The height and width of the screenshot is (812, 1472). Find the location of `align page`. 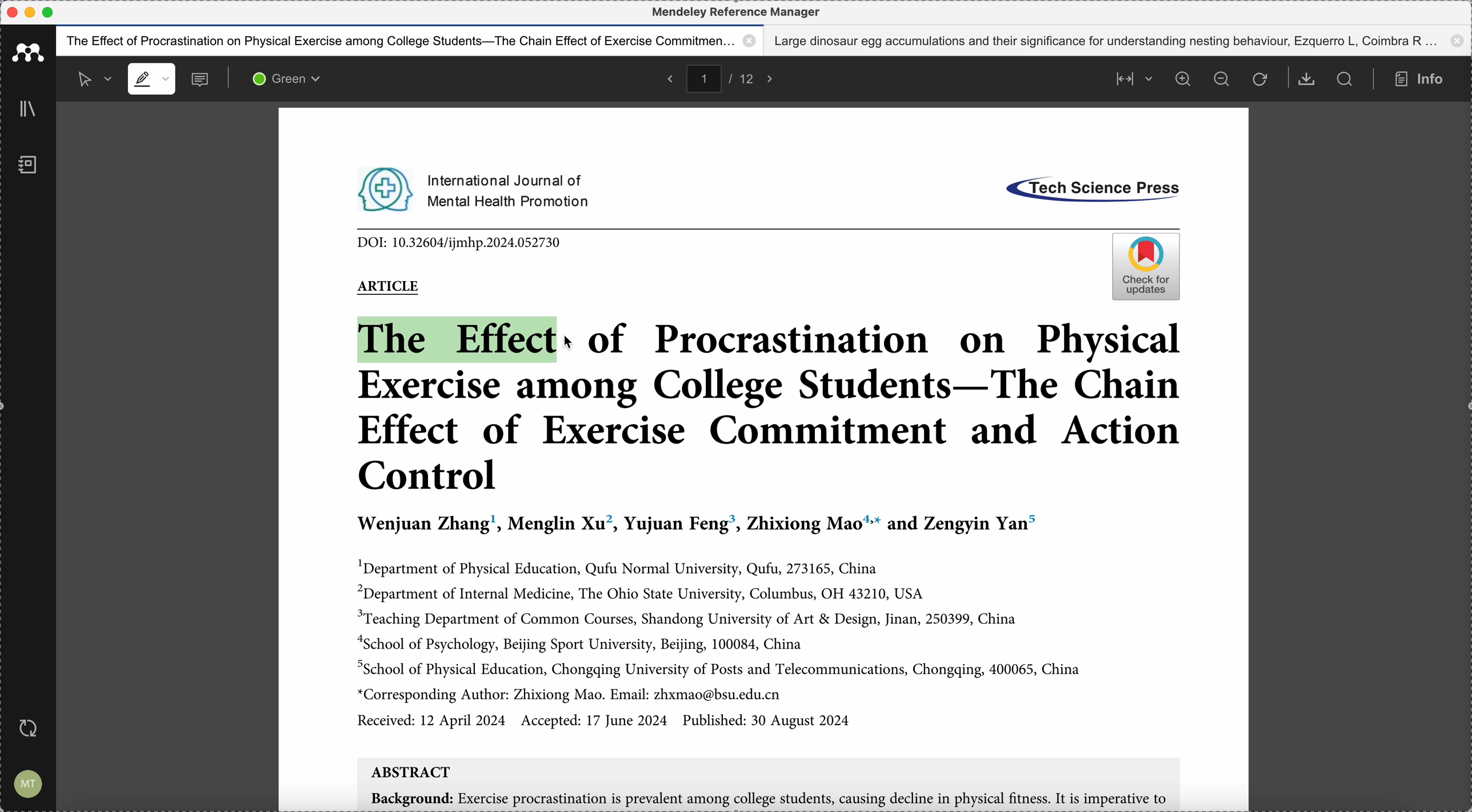

align page is located at coordinates (1131, 78).